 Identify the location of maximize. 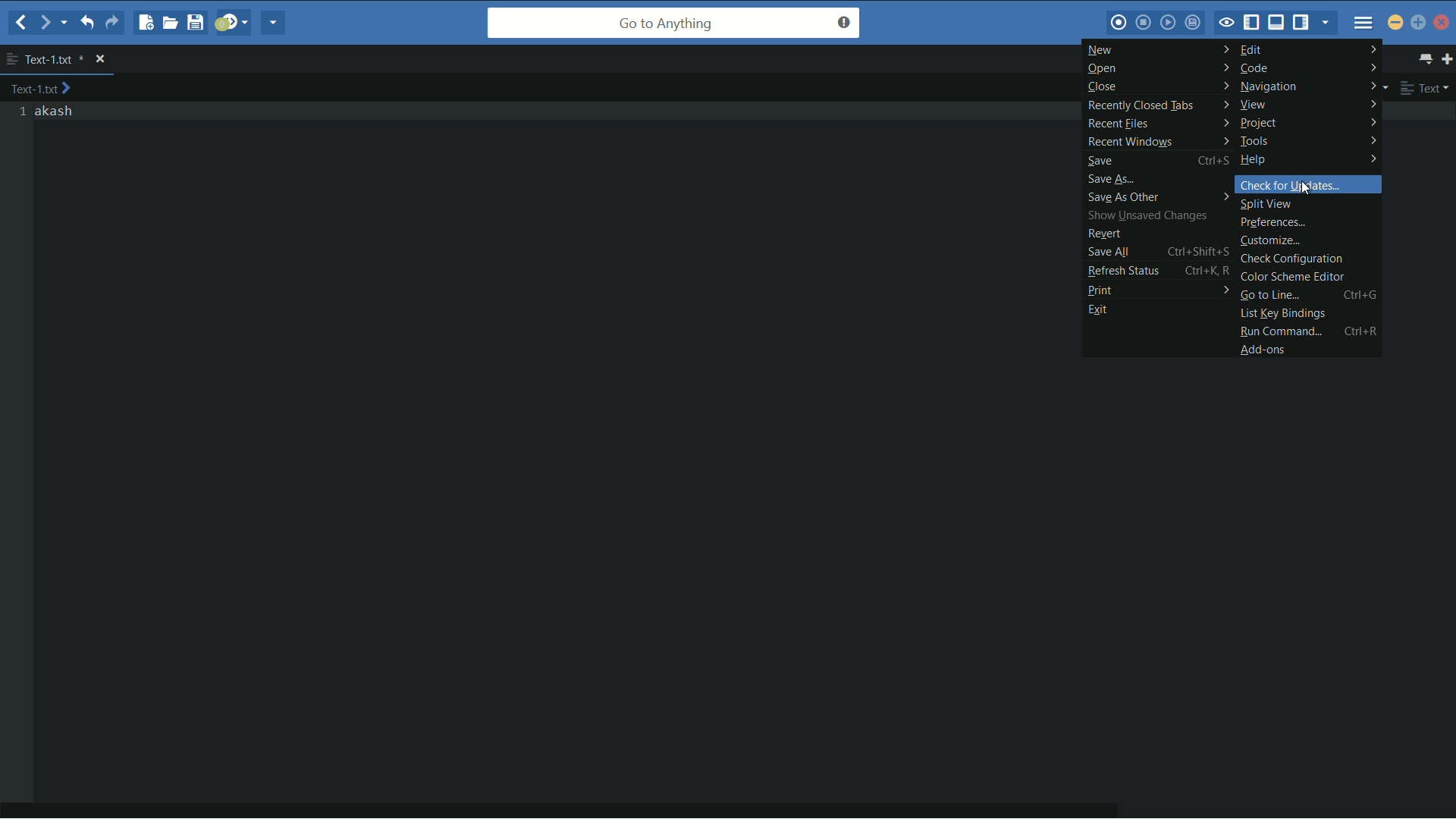
(1420, 24).